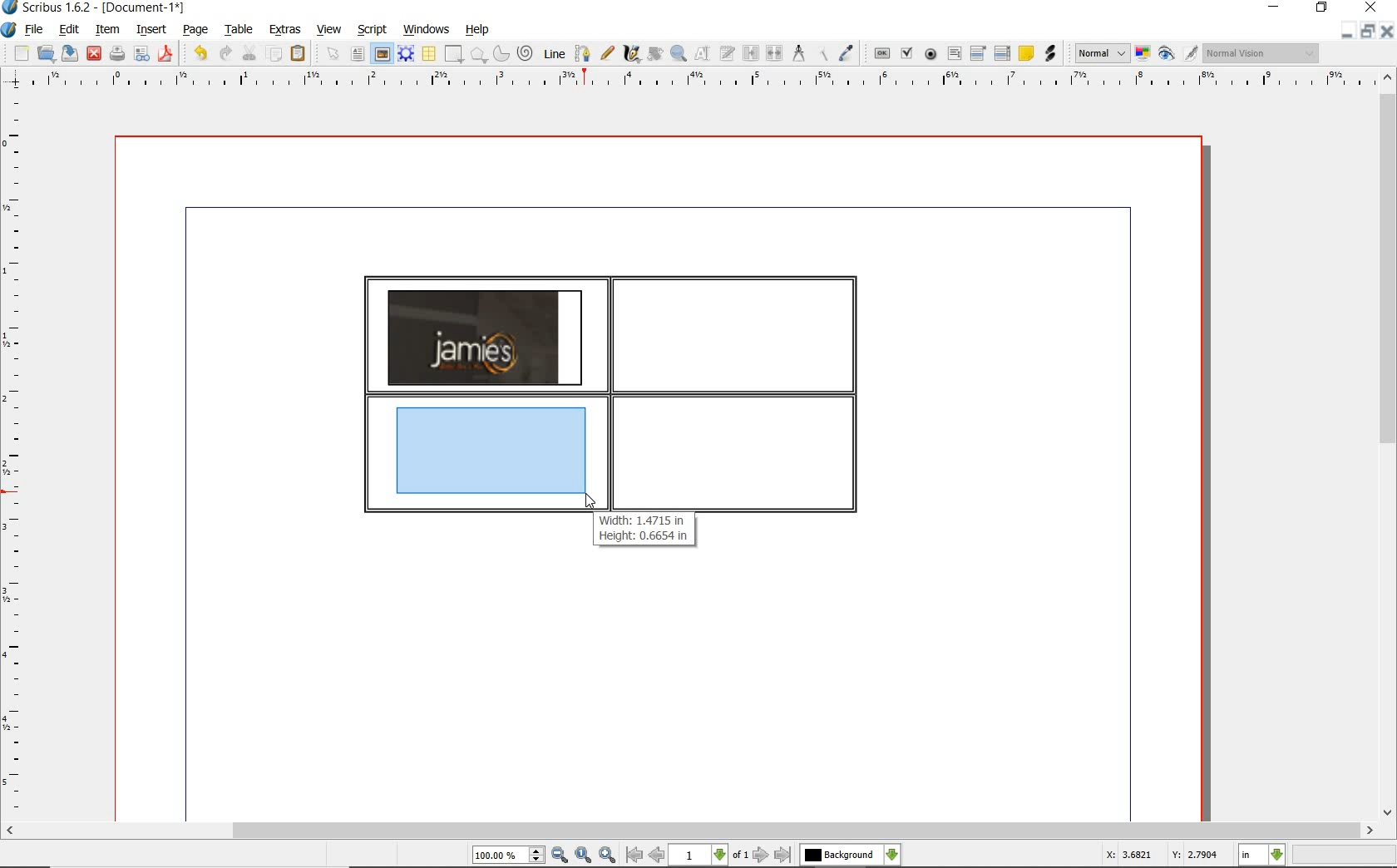 The width and height of the screenshot is (1397, 868). Describe the element at coordinates (508, 856) in the screenshot. I see `select current zoom level` at that location.